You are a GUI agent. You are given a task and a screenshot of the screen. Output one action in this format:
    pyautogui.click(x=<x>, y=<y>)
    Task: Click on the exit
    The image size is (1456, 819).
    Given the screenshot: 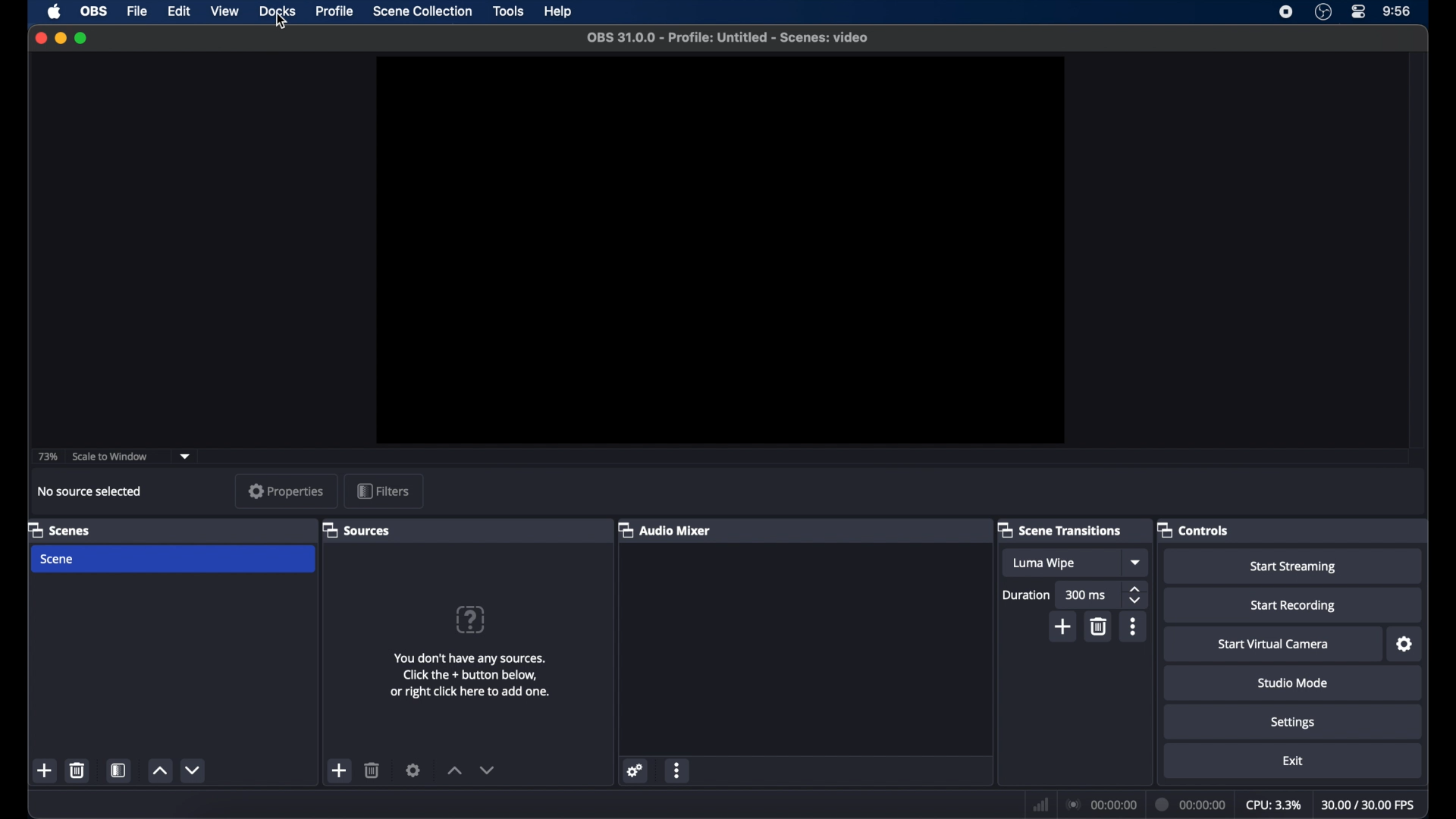 What is the action you would take?
    pyautogui.click(x=1293, y=761)
    